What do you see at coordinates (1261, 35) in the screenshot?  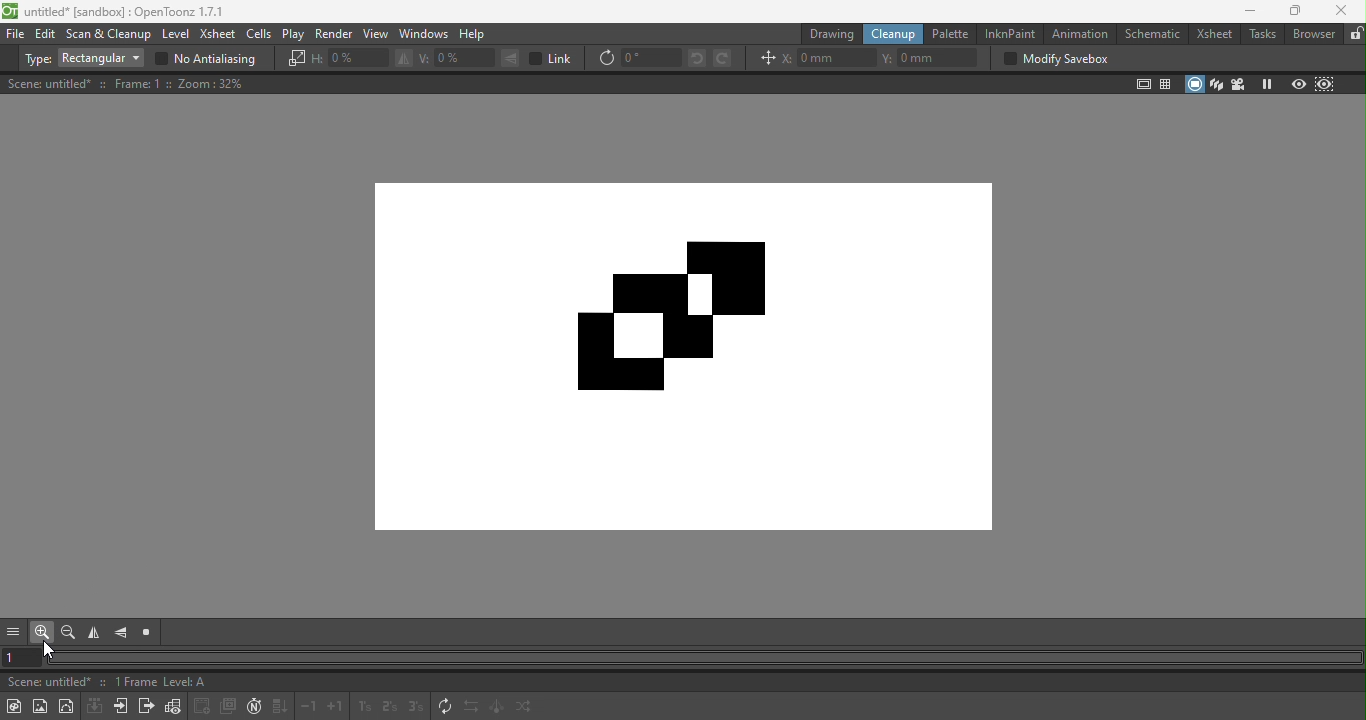 I see `Task` at bounding box center [1261, 35].